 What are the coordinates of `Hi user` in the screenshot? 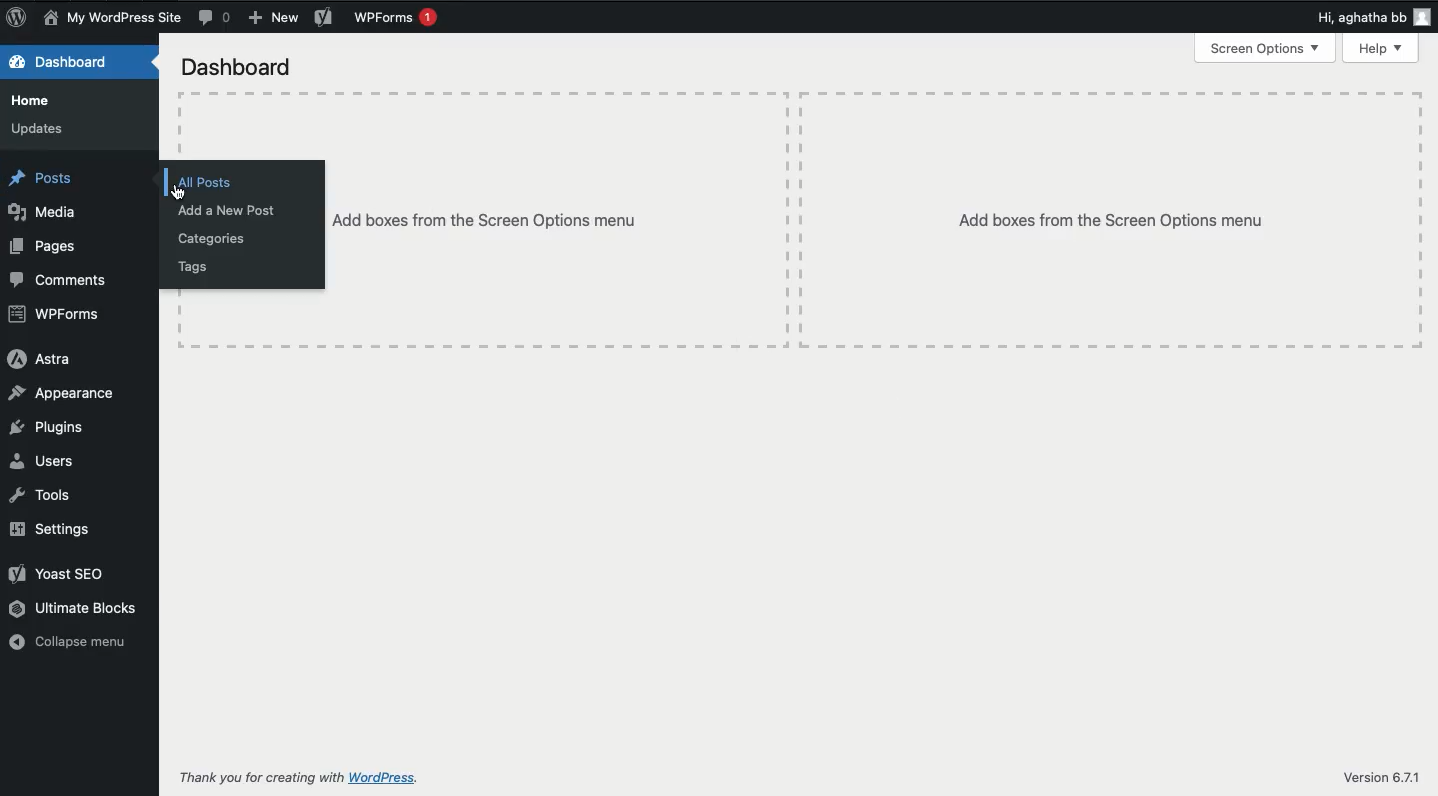 It's located at (1372, 15).